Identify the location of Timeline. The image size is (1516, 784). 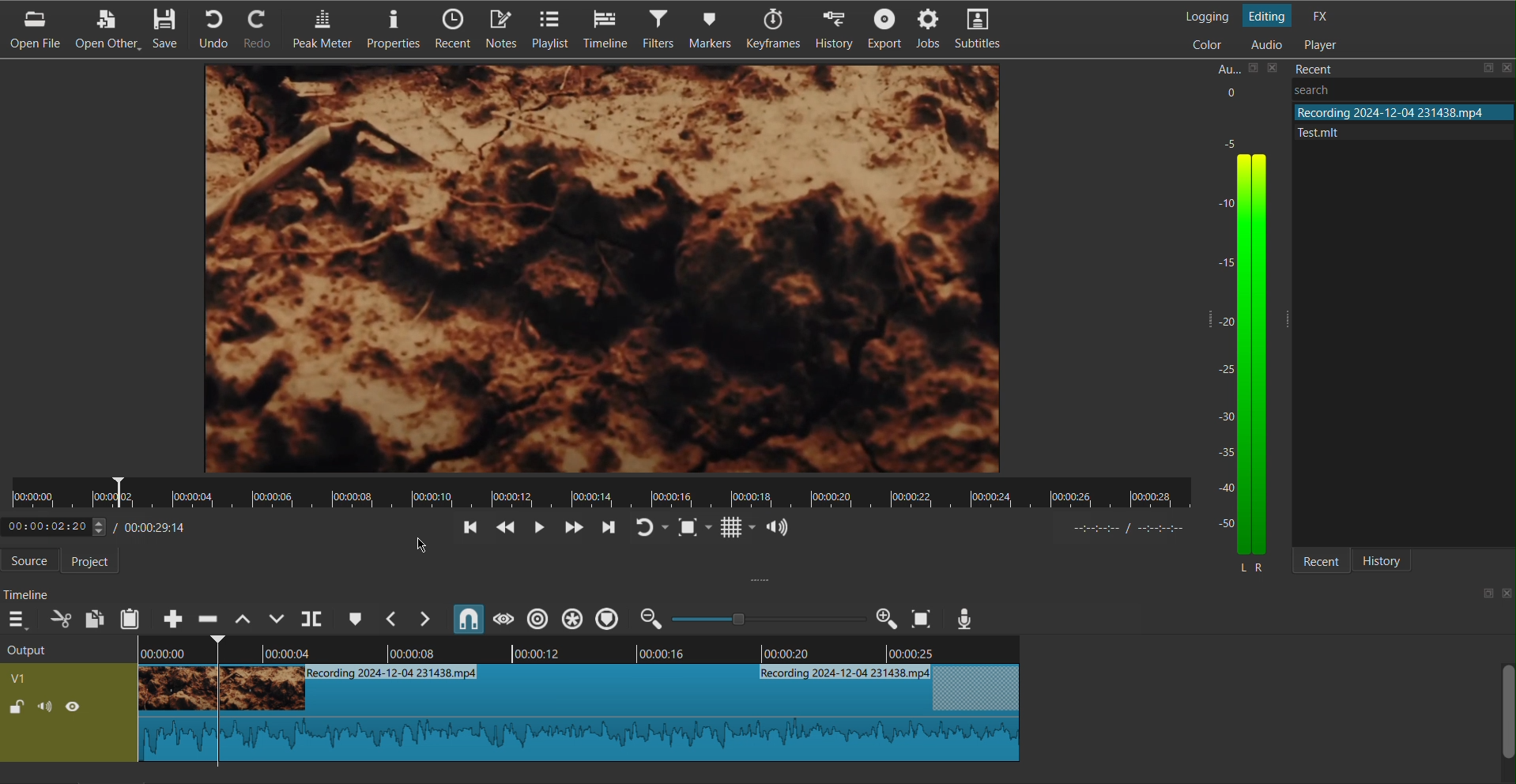
(627, 652).